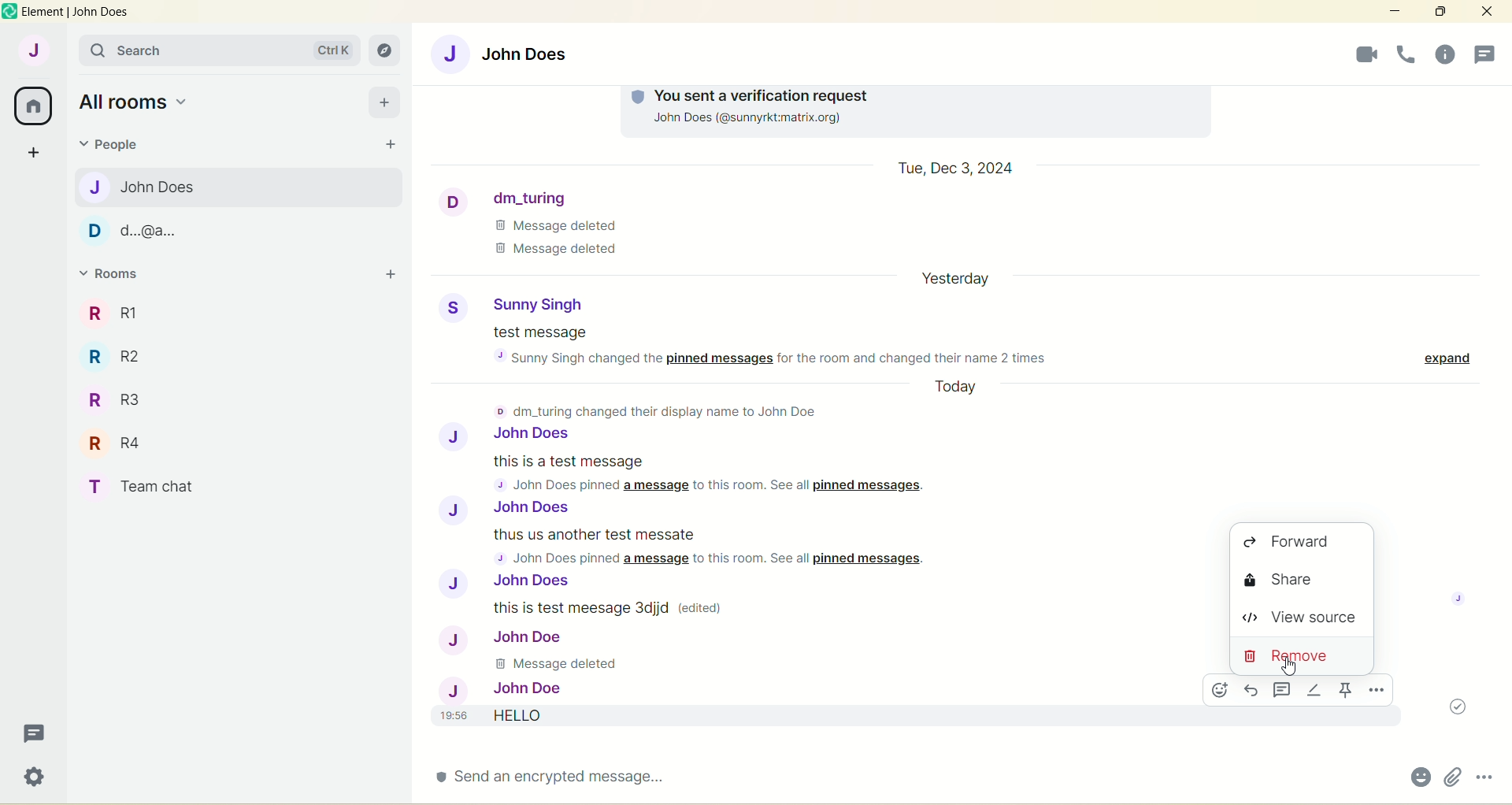 The width and height of the screenshot is (1512, 805). Describe the element at coordinates (1301, 546) in the screenshot. I see `forward` at that location.